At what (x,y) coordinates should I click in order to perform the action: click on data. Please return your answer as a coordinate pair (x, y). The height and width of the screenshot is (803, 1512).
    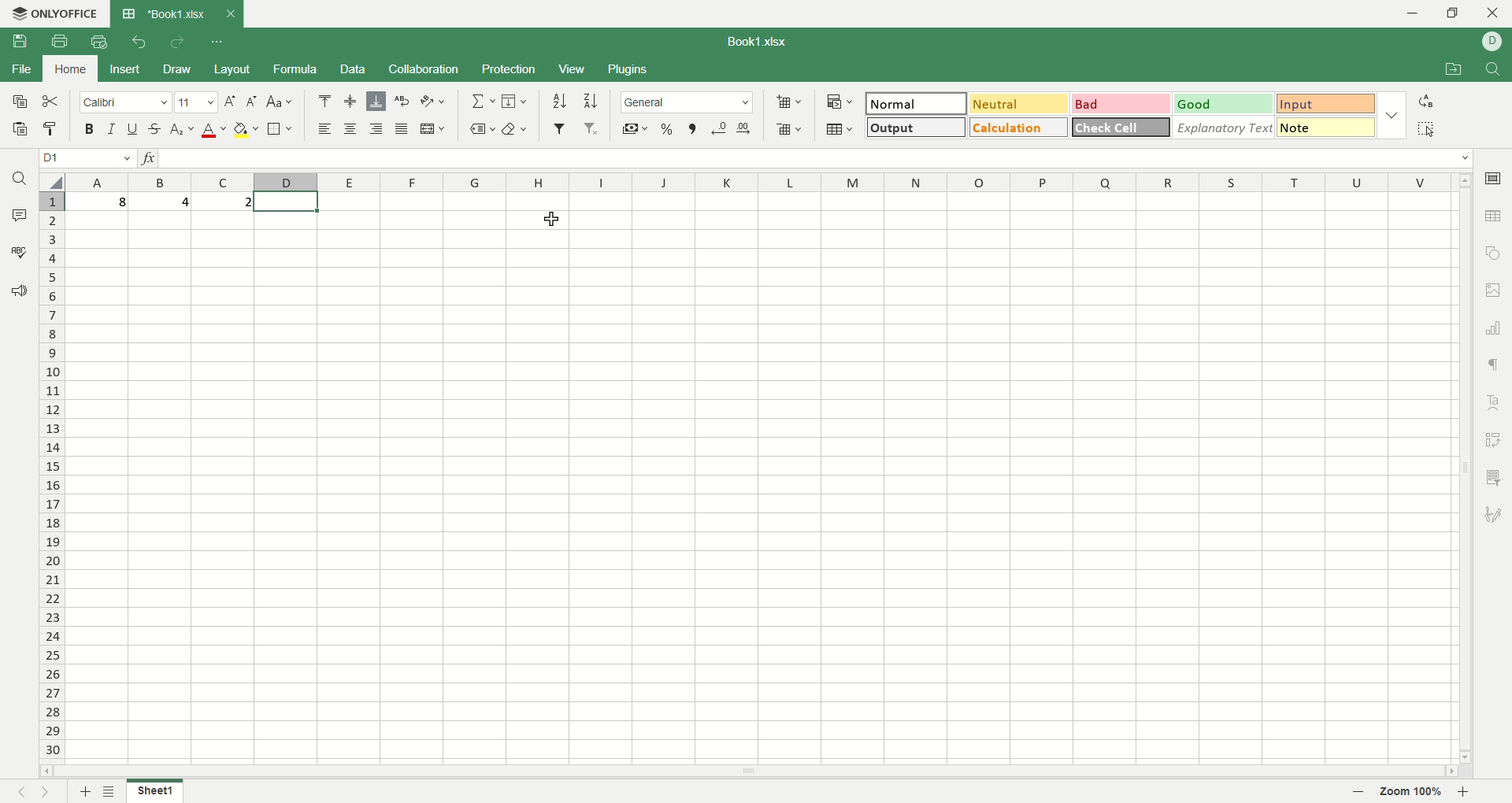
    Looking at the image, I should click on (354, 69).